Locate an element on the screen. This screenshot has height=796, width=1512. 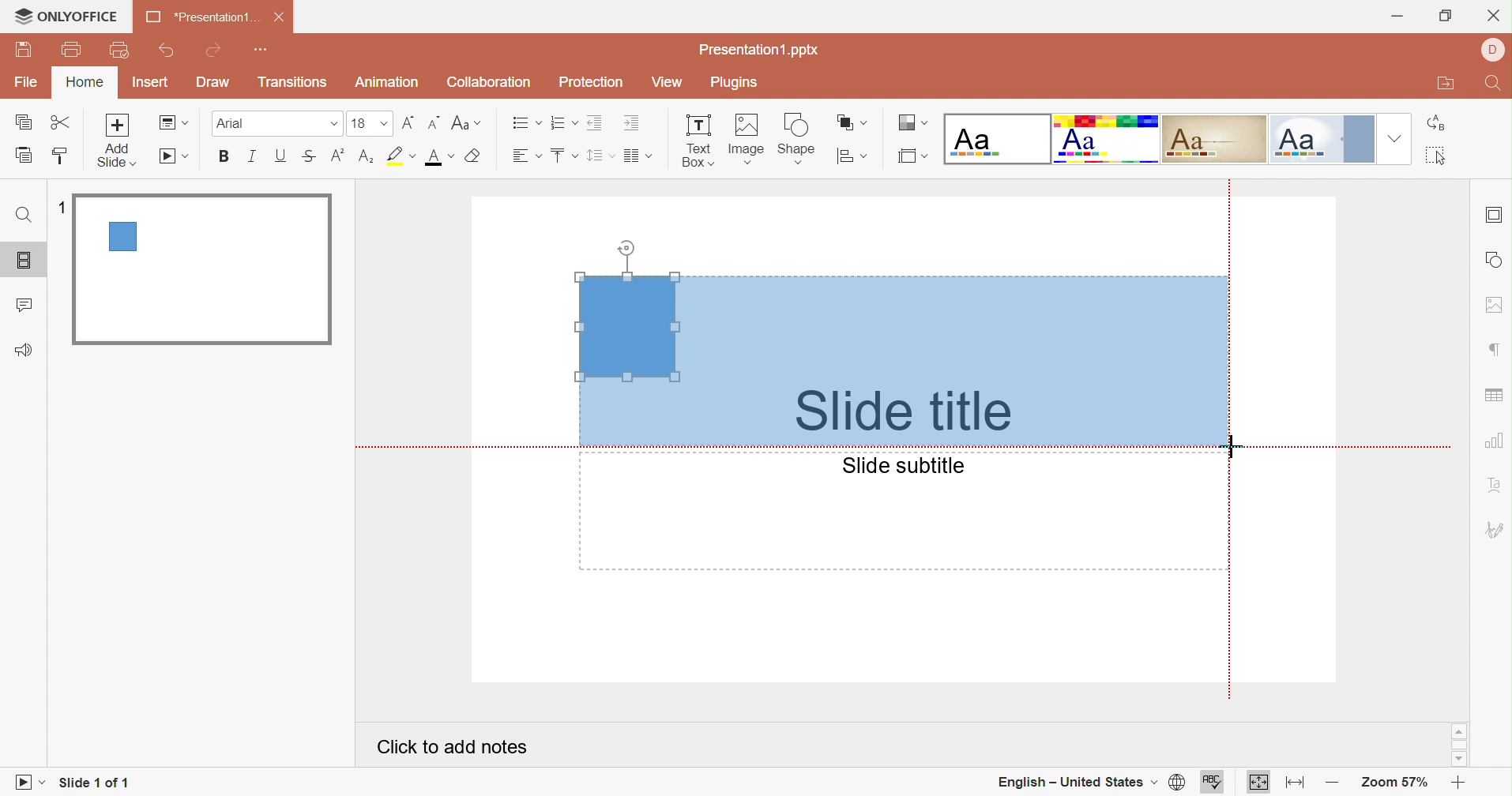
Shape settings is located at coordinates (1495, 260).